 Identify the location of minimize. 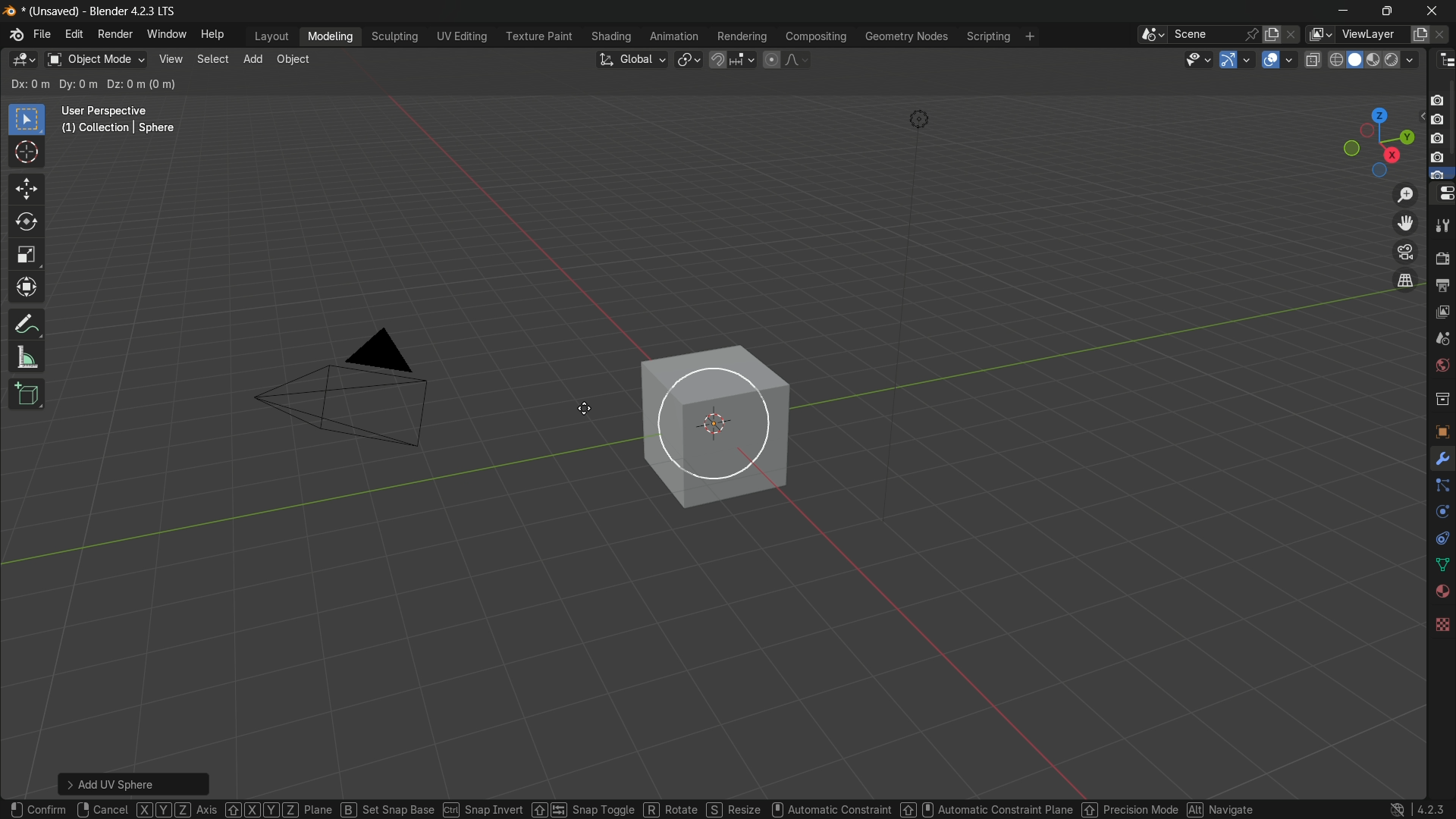
(1343, 12).